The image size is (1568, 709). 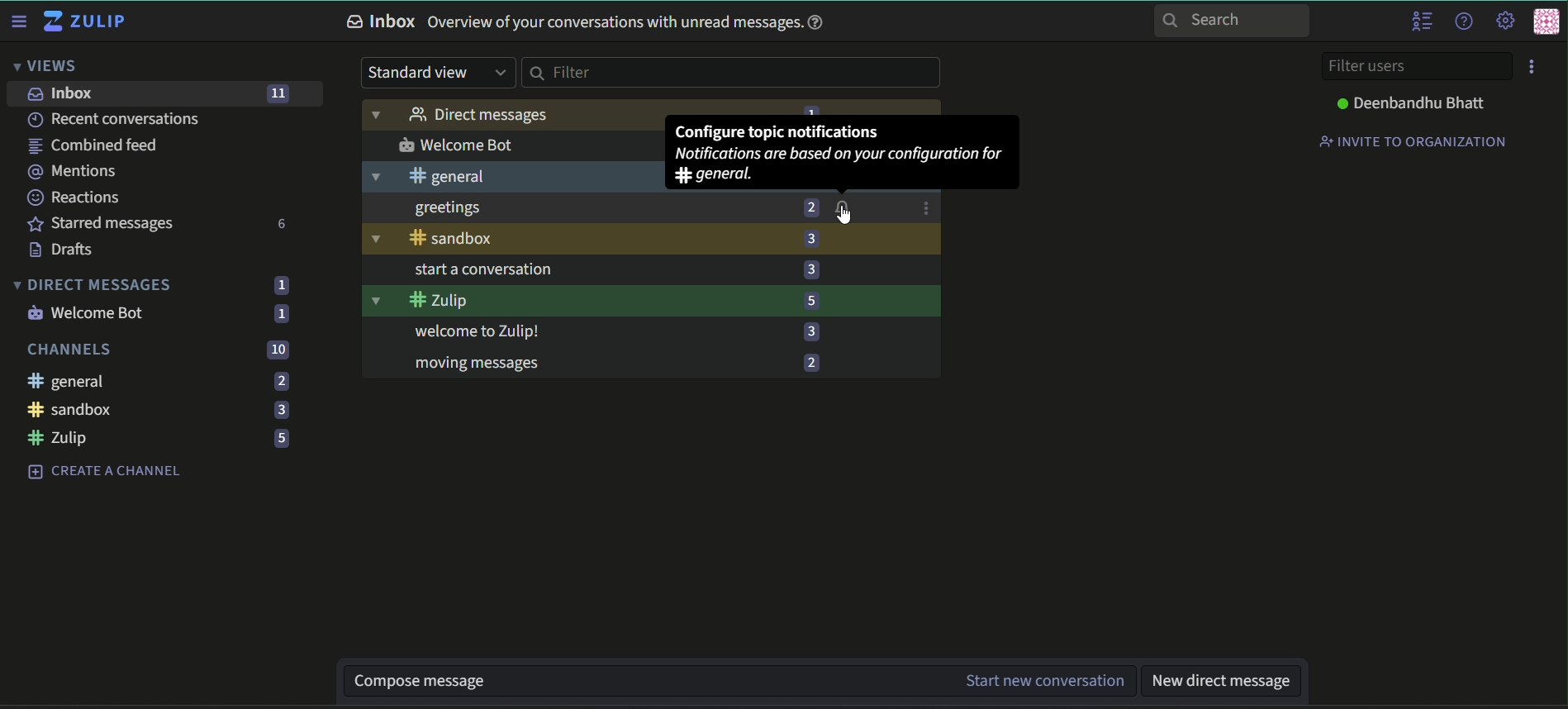 I want to click on #general, so click(x=507, y=177).